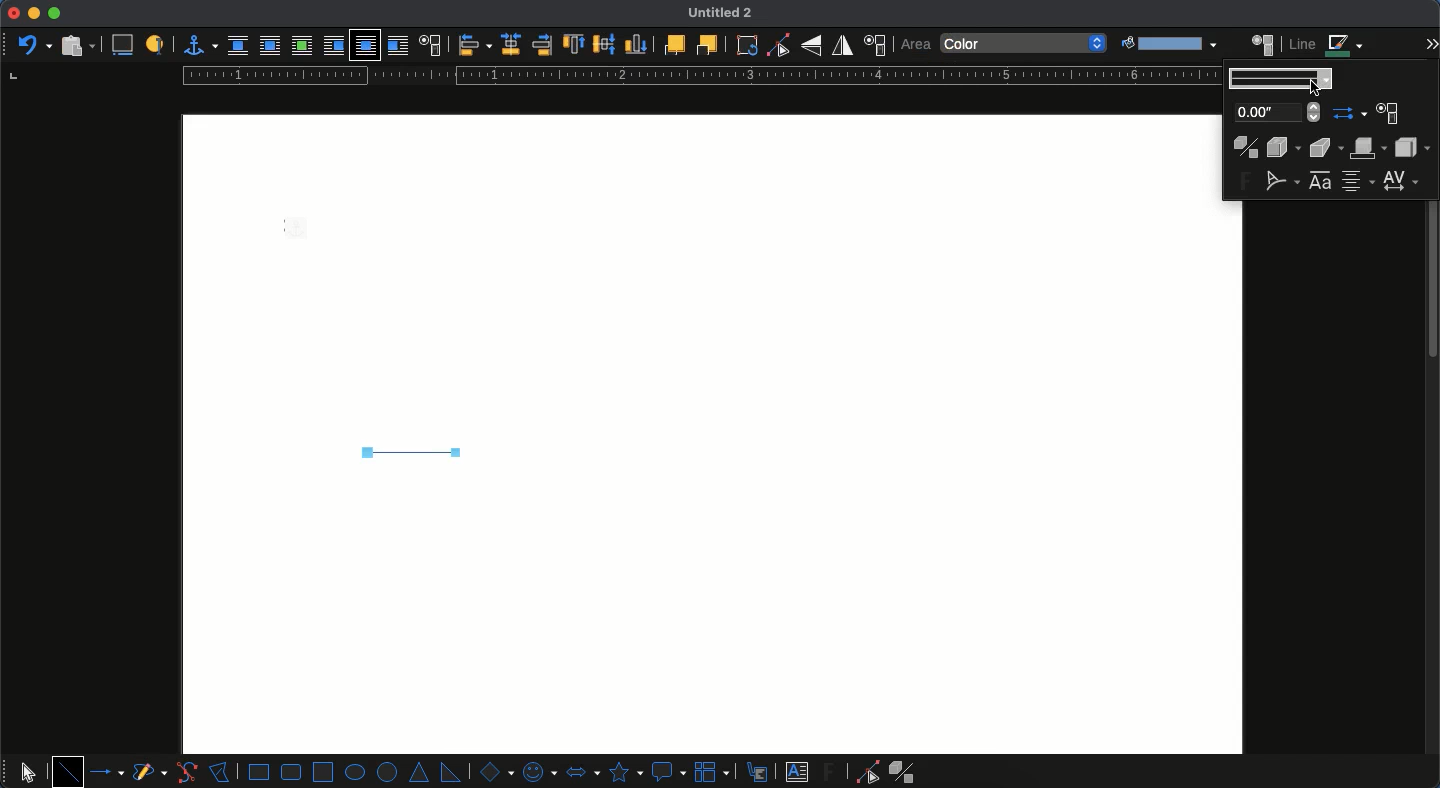 The height and width of the screenshot is (788, 1440). What do you see at coordinates (1370, 148) in the screenshot?
I see `3d color` at bounding box center [1370, 148].